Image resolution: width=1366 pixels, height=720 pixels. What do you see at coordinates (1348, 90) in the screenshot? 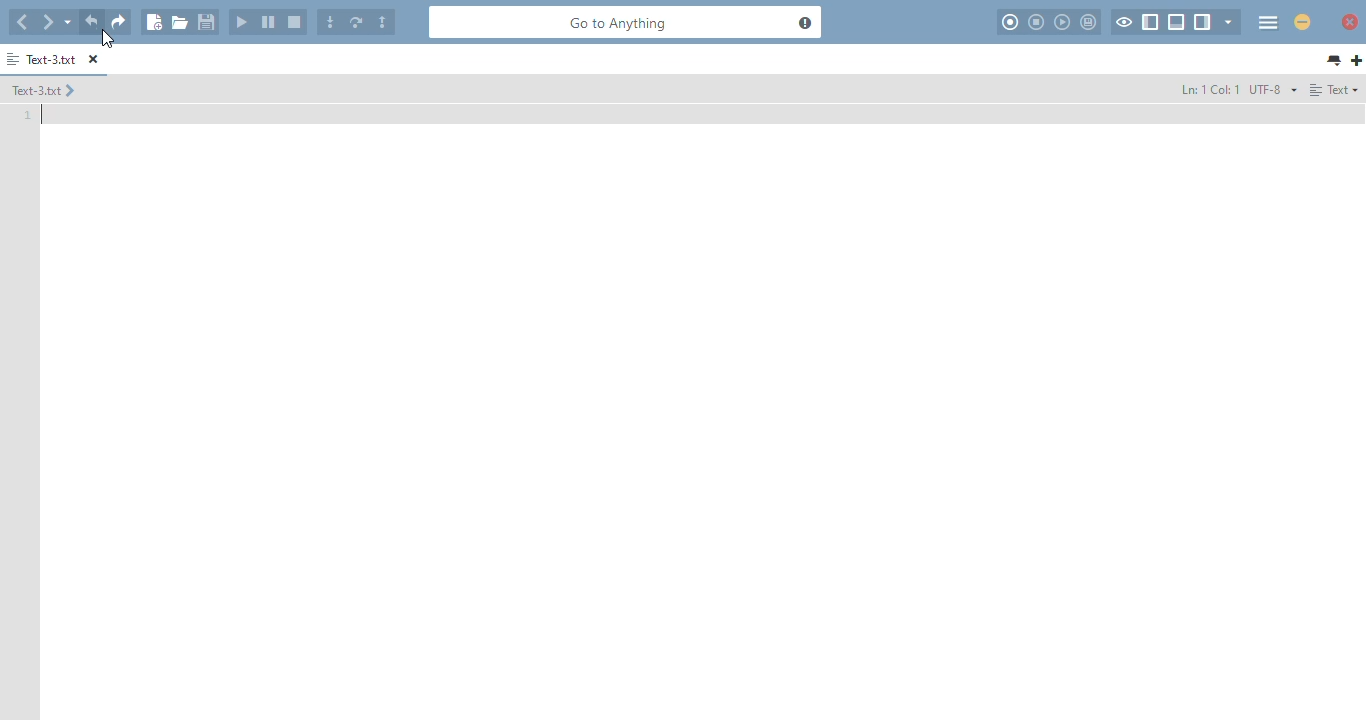
I see `Text` at bounding box center [1348, 90].